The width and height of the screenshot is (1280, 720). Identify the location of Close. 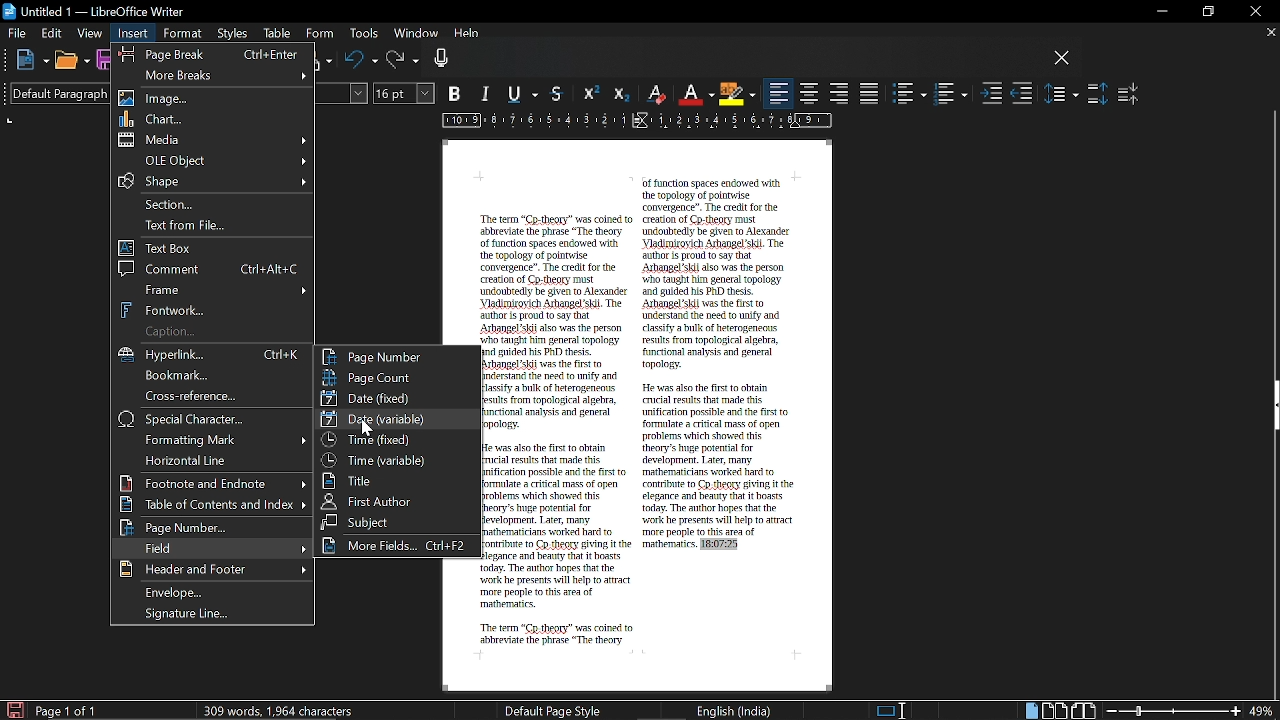
(1254, 12).